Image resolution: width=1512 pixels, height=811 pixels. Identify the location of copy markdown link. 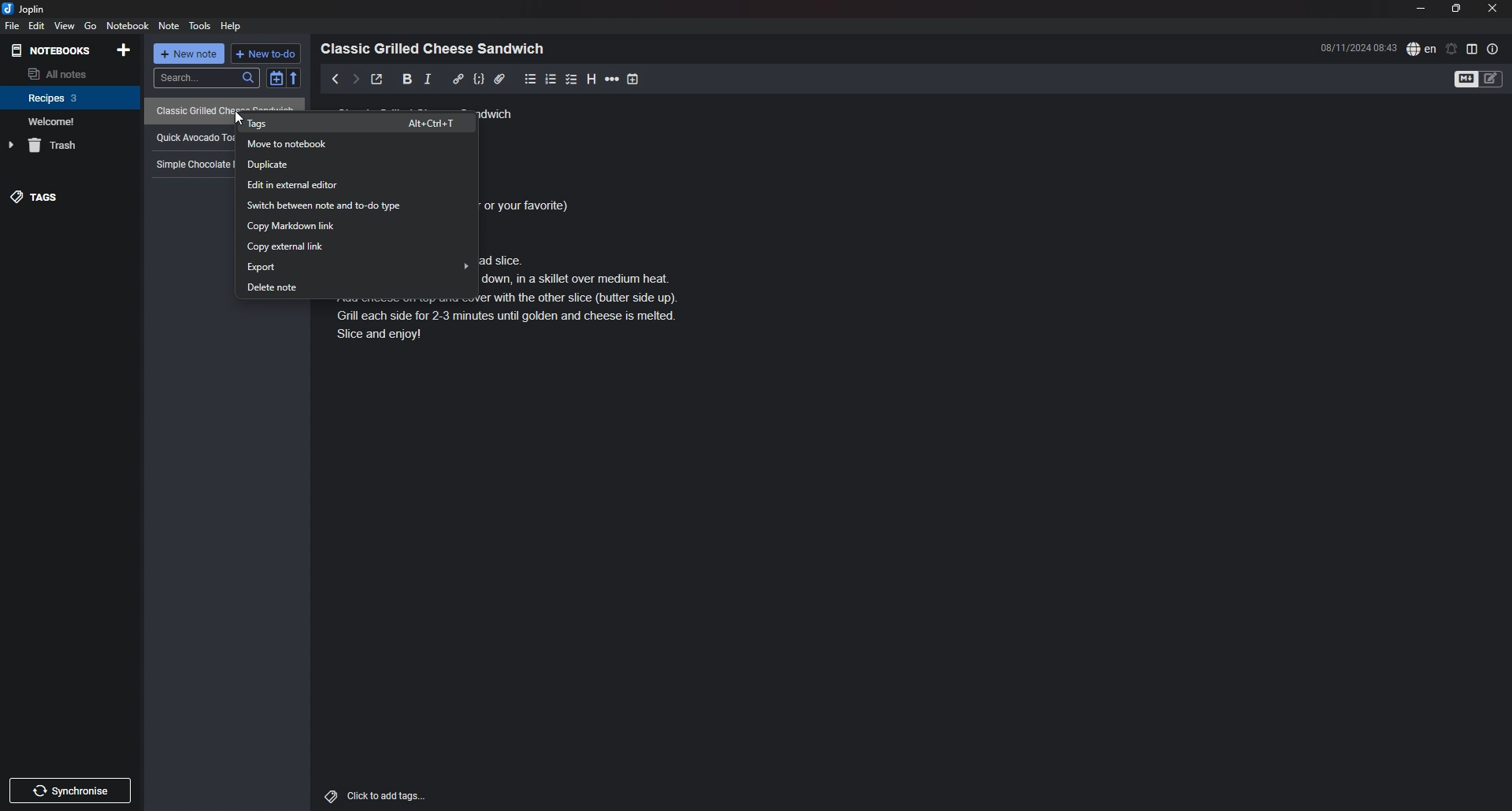
(357, 225).